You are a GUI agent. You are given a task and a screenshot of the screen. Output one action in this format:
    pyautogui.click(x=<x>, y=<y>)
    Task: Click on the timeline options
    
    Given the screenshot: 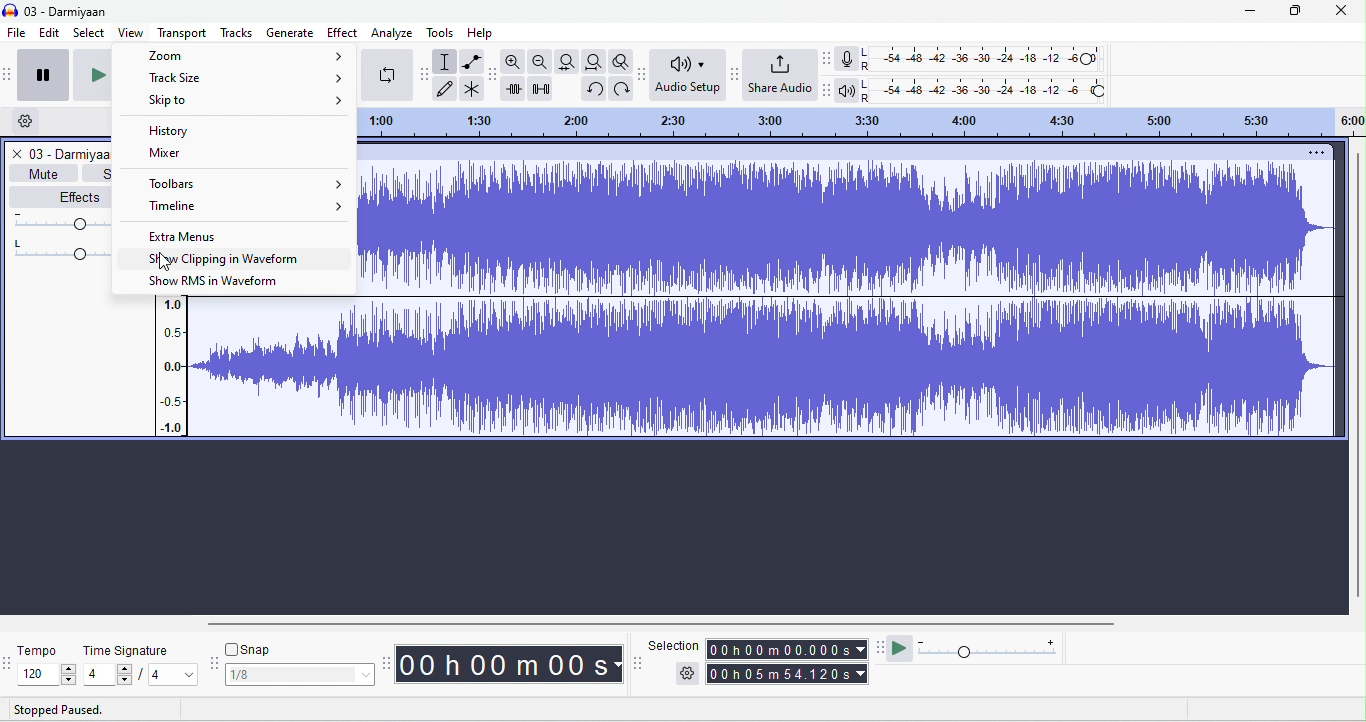 What is the action you would take?
    pyautogui.click(x=25, y=120)
    